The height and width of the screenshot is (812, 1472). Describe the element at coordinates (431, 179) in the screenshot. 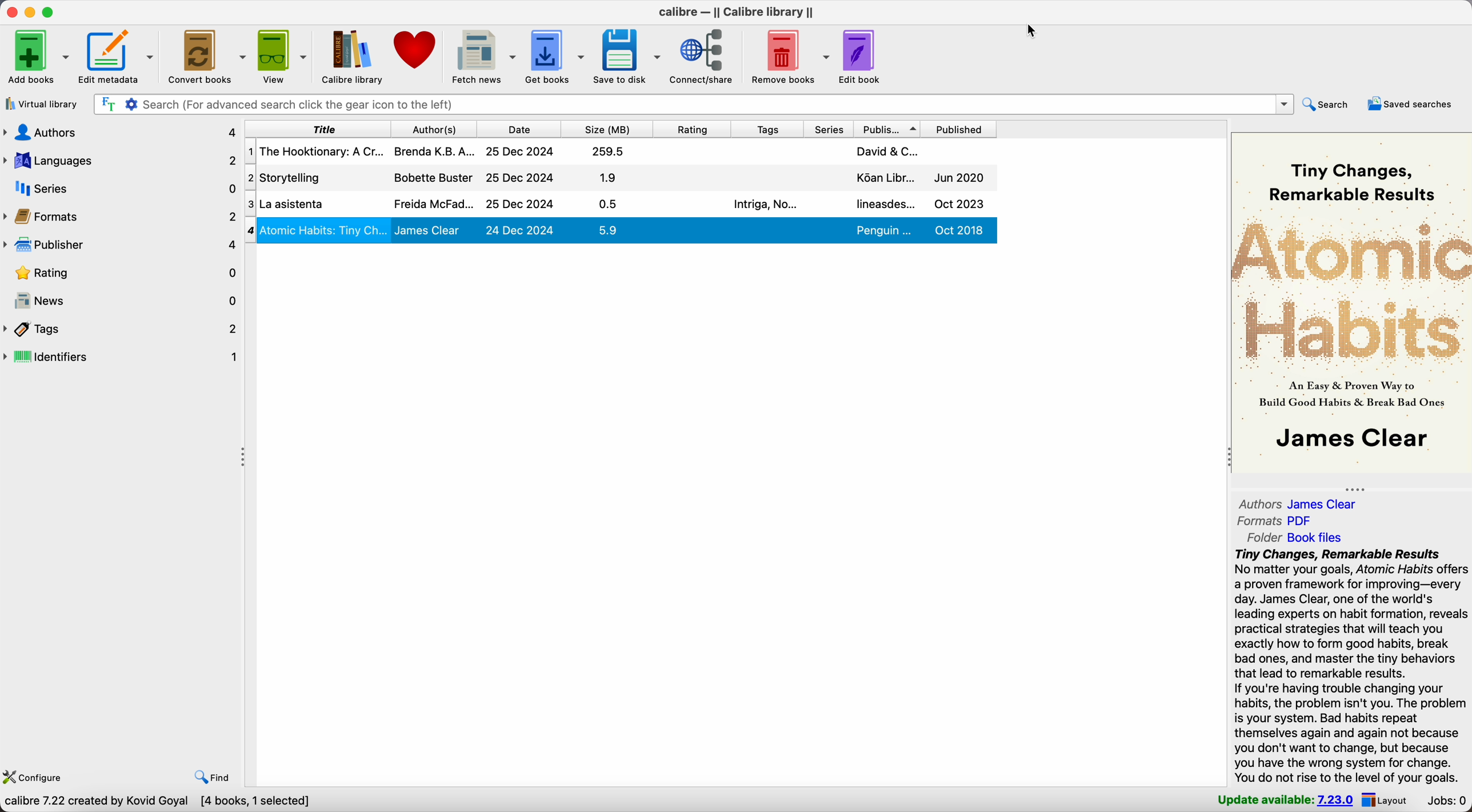

I see `bobette buster` at that location.